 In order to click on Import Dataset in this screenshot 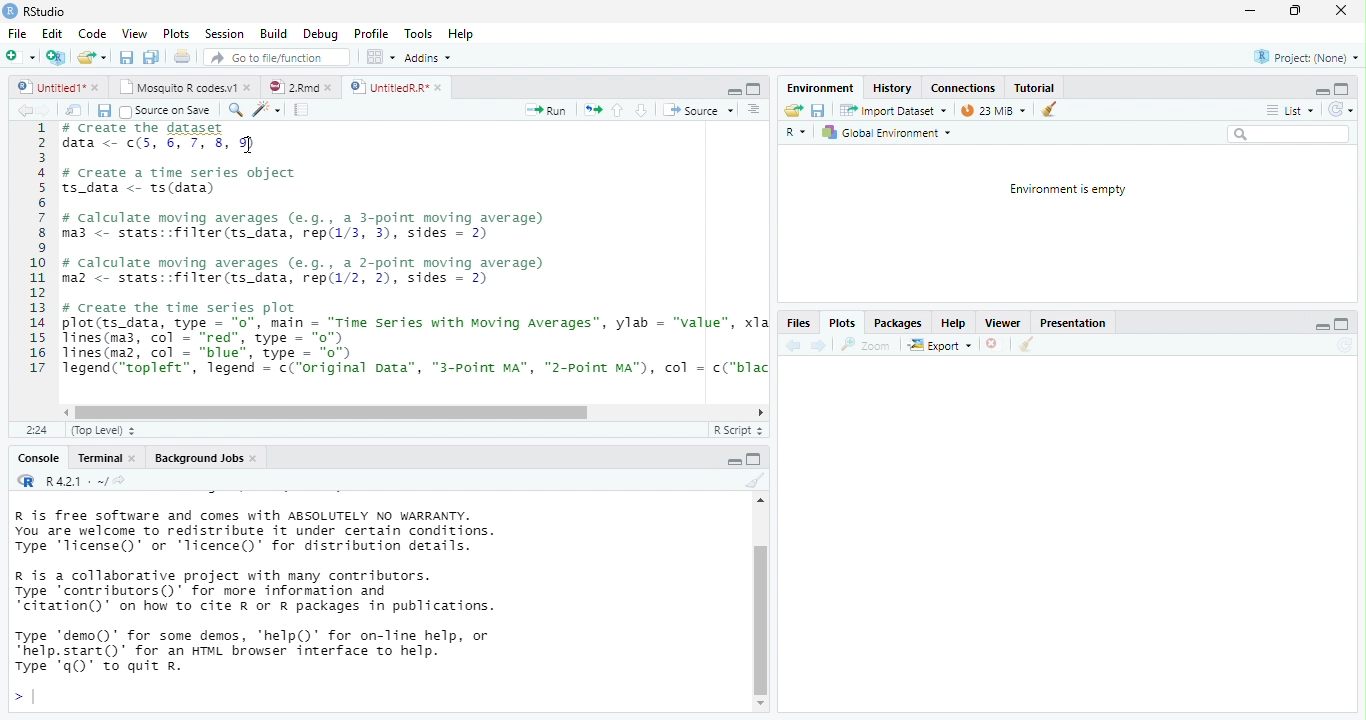, I will do `click(895, 110)`.